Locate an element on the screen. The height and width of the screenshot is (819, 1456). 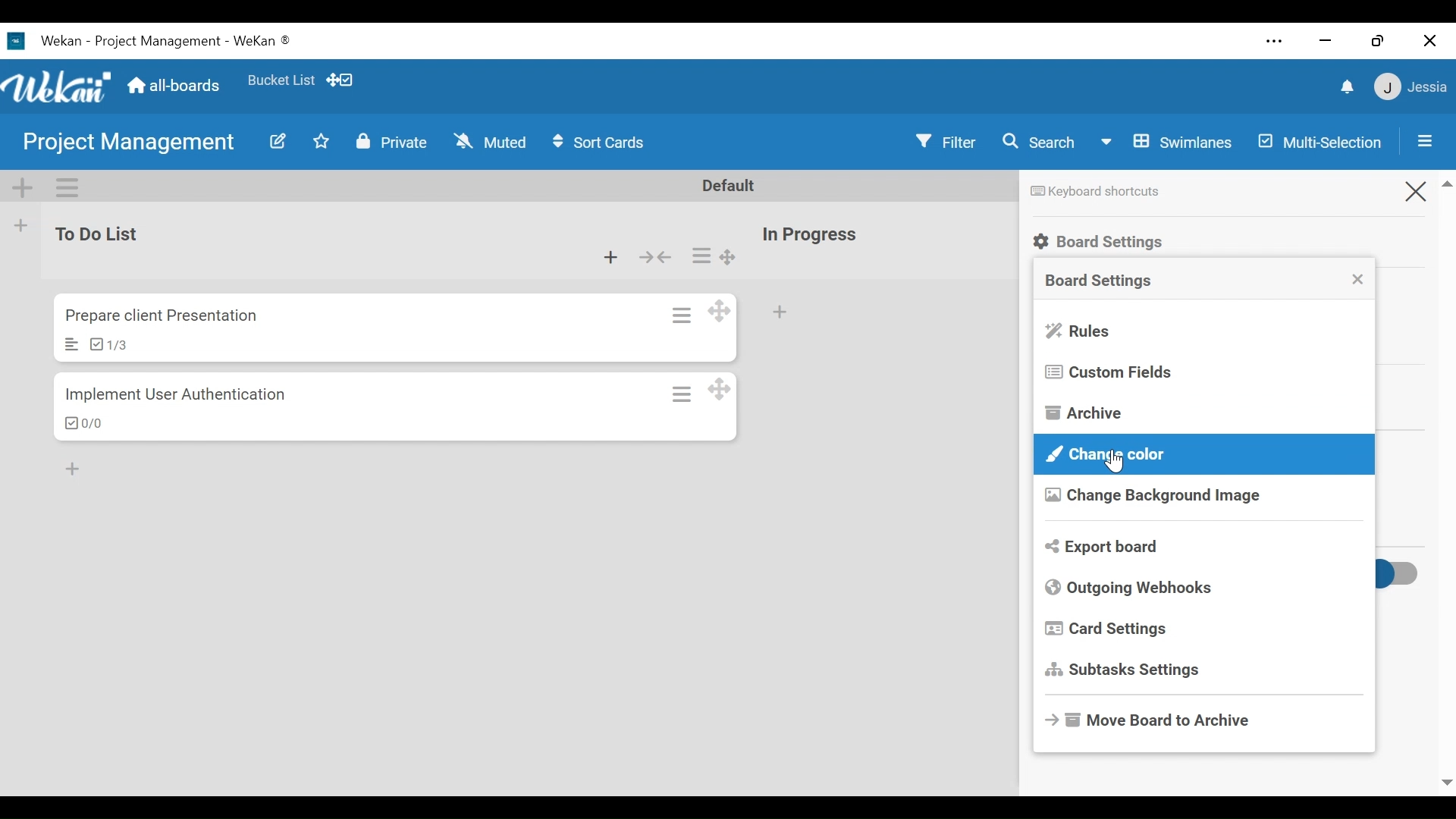
Desktop drag handles is located at coordinates (718, 311).